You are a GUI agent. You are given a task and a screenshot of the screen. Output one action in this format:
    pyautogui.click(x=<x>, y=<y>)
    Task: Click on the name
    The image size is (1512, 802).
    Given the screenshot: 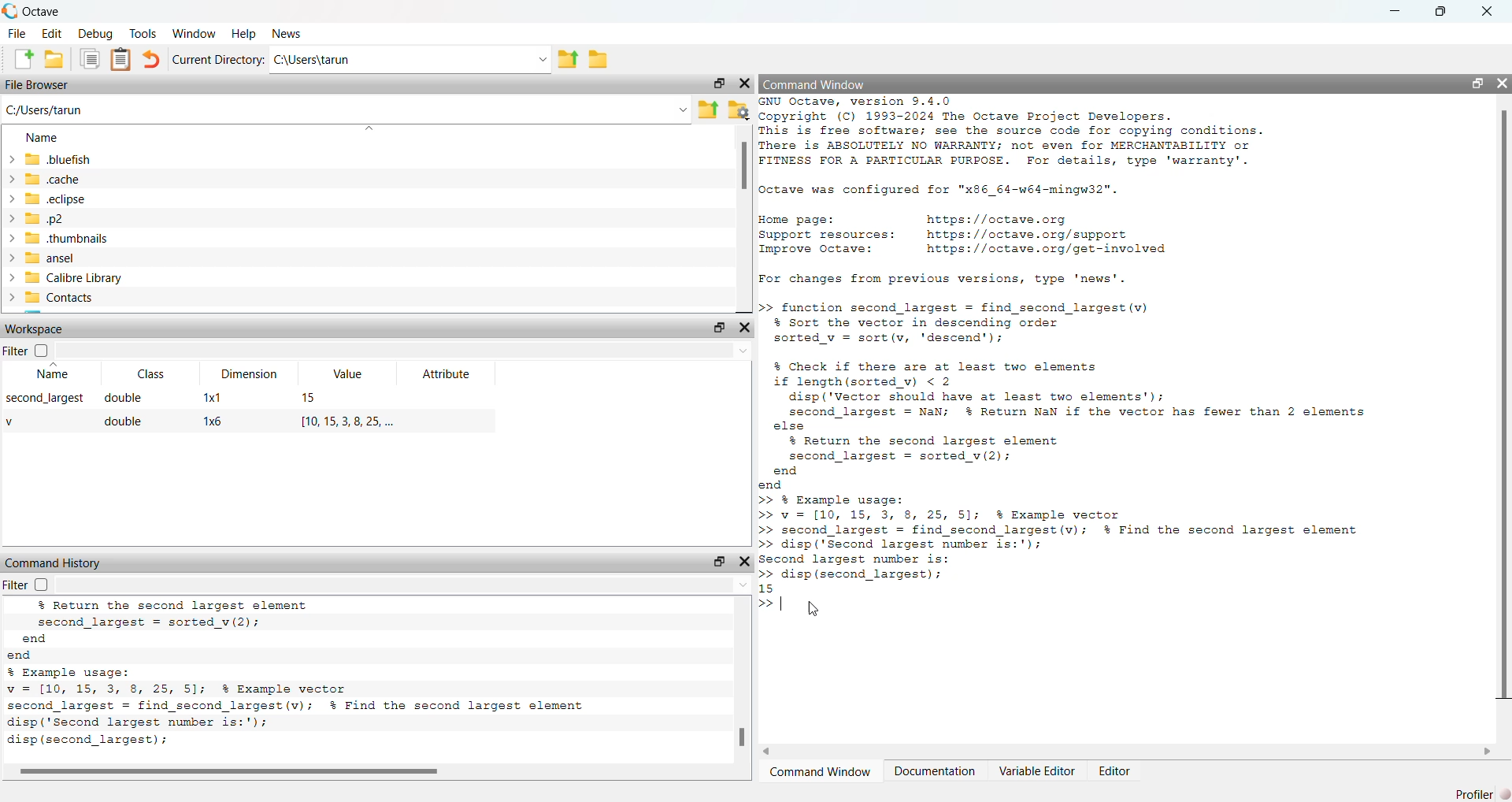 What is the action you would take?
    pyautogui.click(x=49, y=376)
    